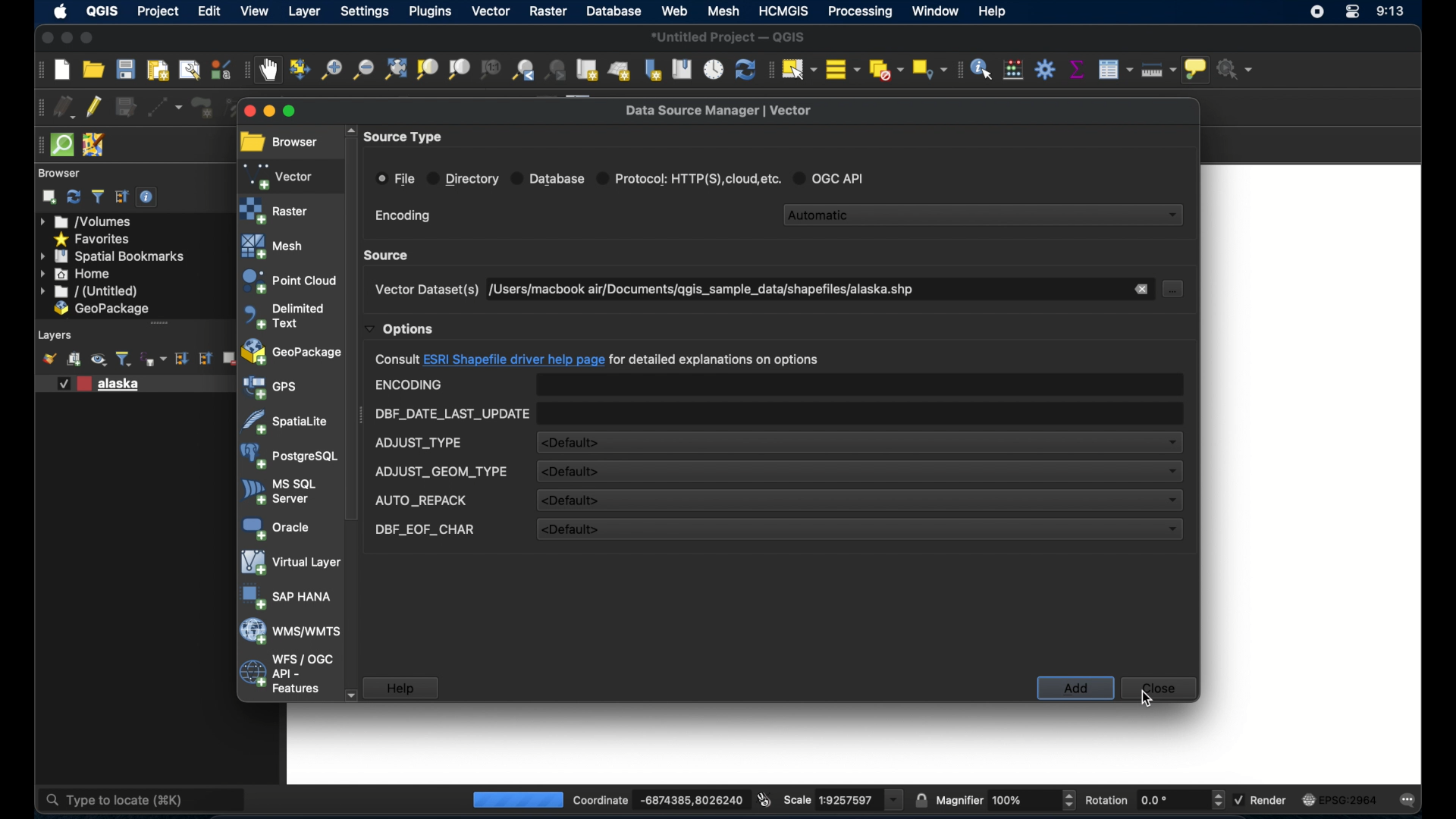 This screenshot has width=1456, height=819. What do you see at coordinates (1392, 12) in the screenshot?
I see `time` at bounding box center [1392, 12].